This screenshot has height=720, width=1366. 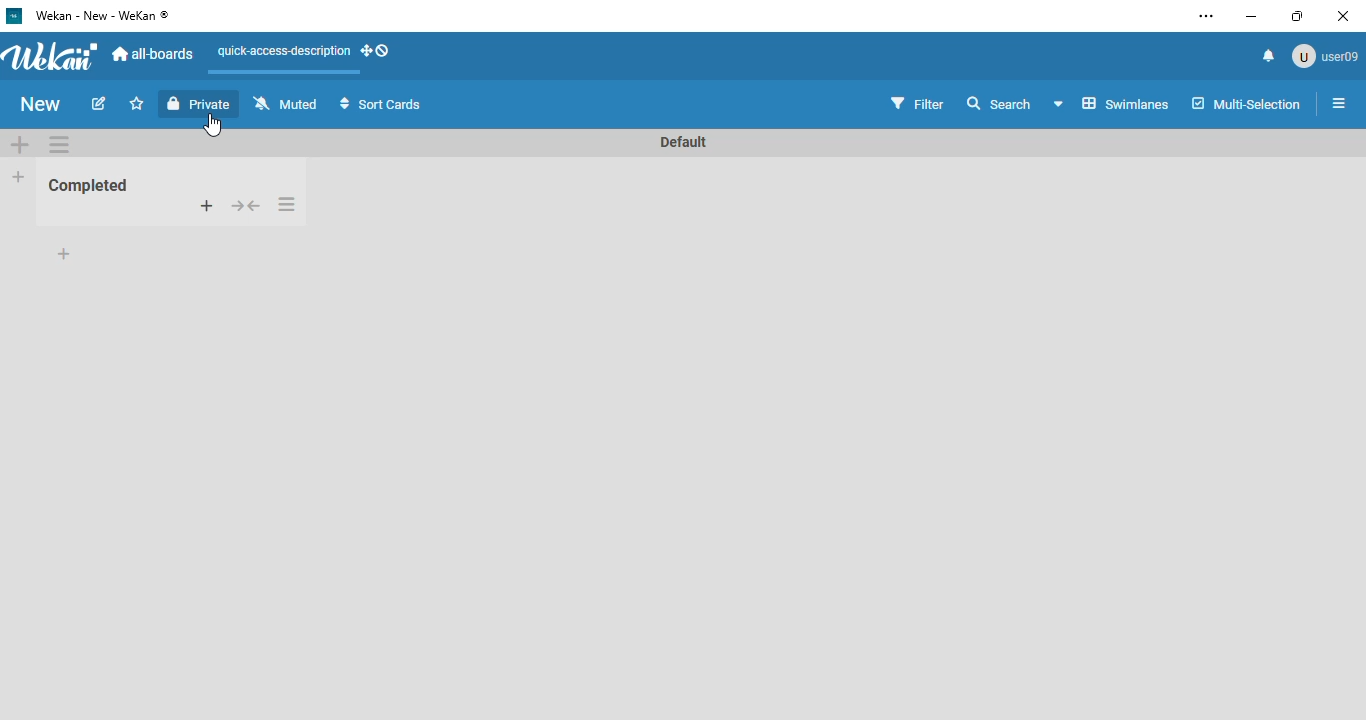 I want to click on add card to top of list, so click(x=207, y=207).